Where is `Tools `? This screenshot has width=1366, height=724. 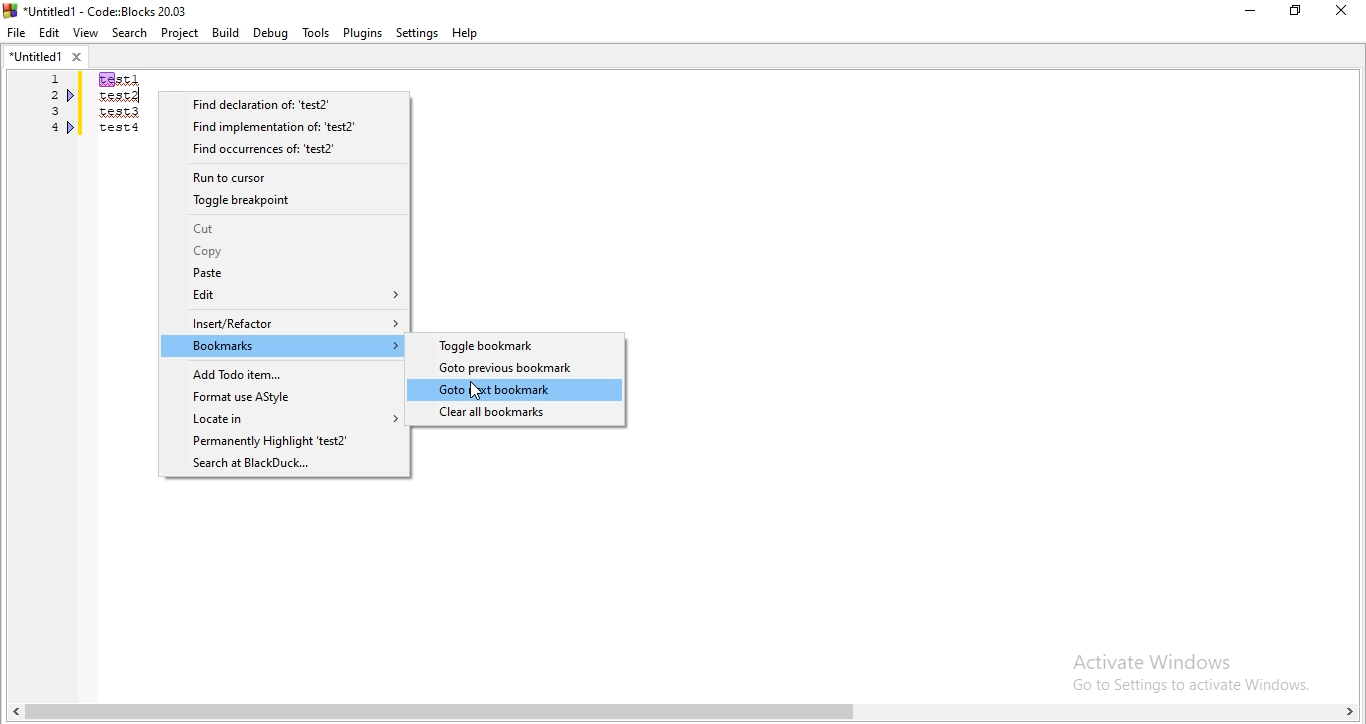 Tools  is located at coordinates (315, 33).